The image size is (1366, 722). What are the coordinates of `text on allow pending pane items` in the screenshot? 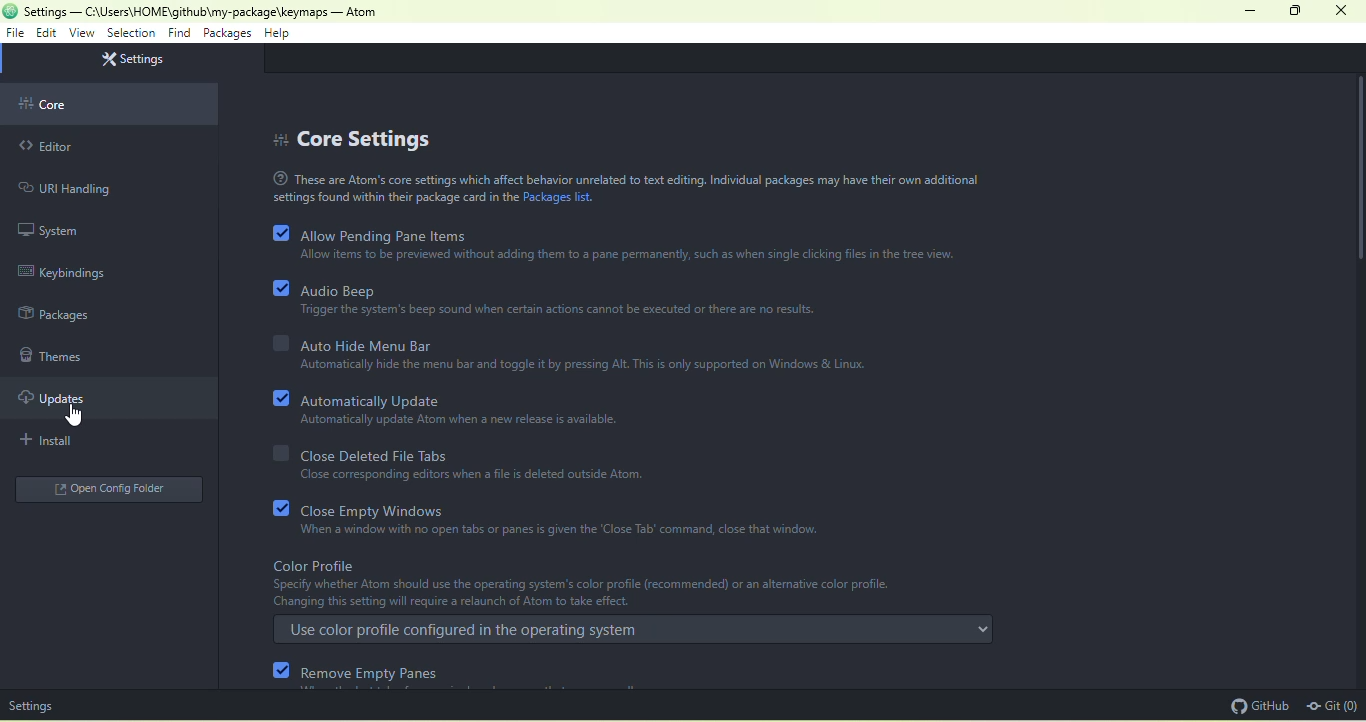 It's located at (656, 255).